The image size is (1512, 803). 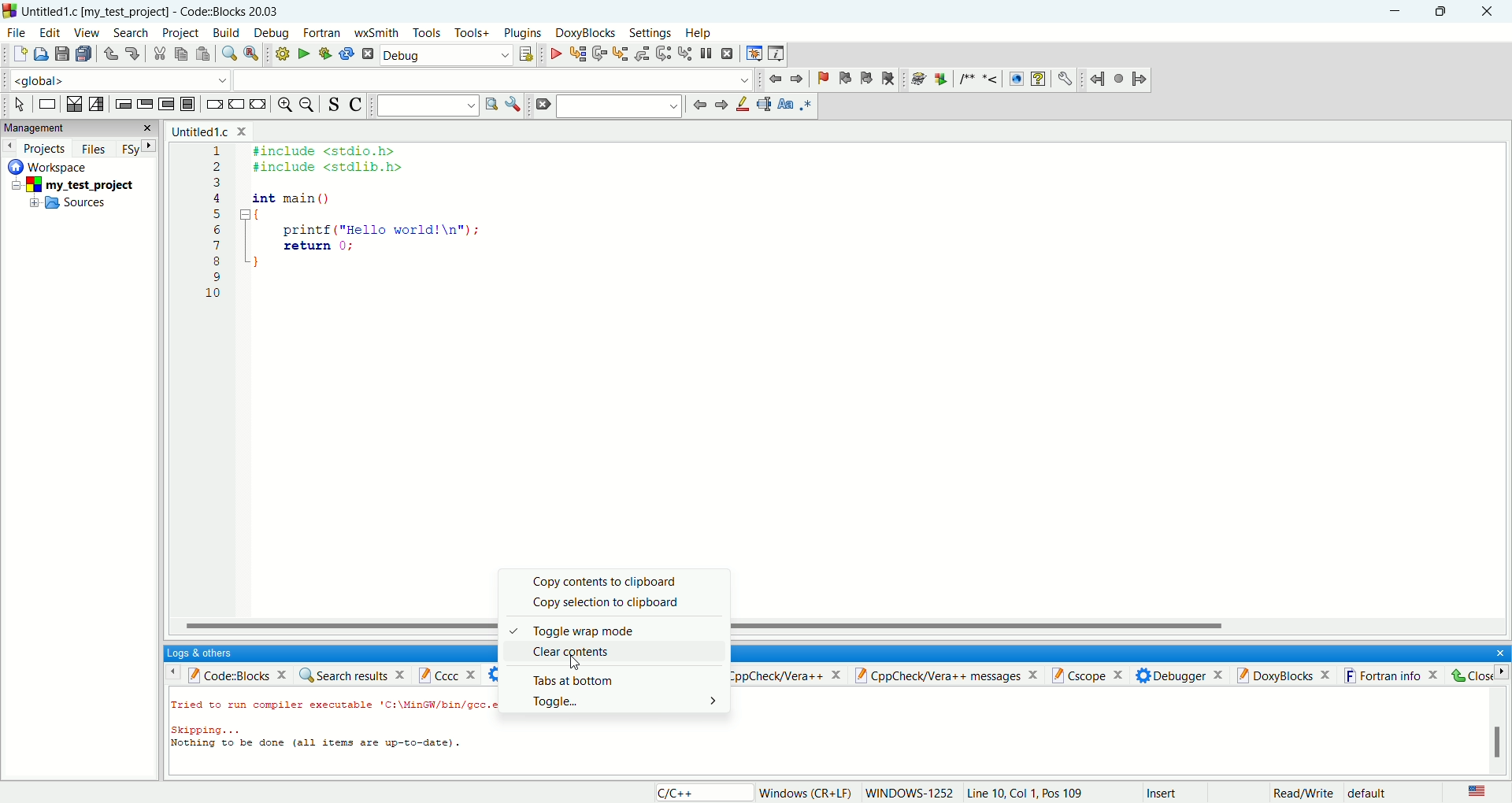 I want to click on toggle sources, so click(x=335, y=105).